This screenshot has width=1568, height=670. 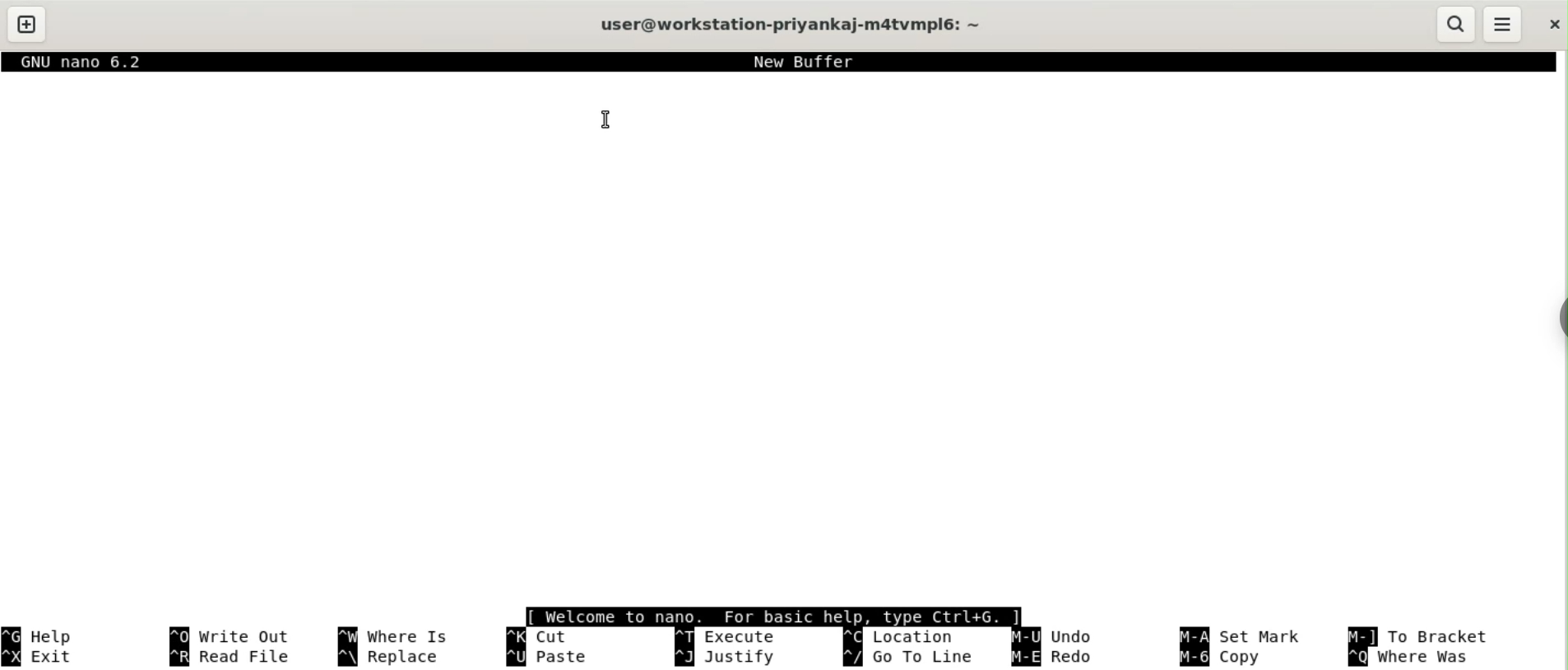 What do you see at coordinates (771, 616) in the screenshot?
I see `Welcome to nano. For basic help. tvpe Ctrl+G. ` at bounding box center [771, 616].